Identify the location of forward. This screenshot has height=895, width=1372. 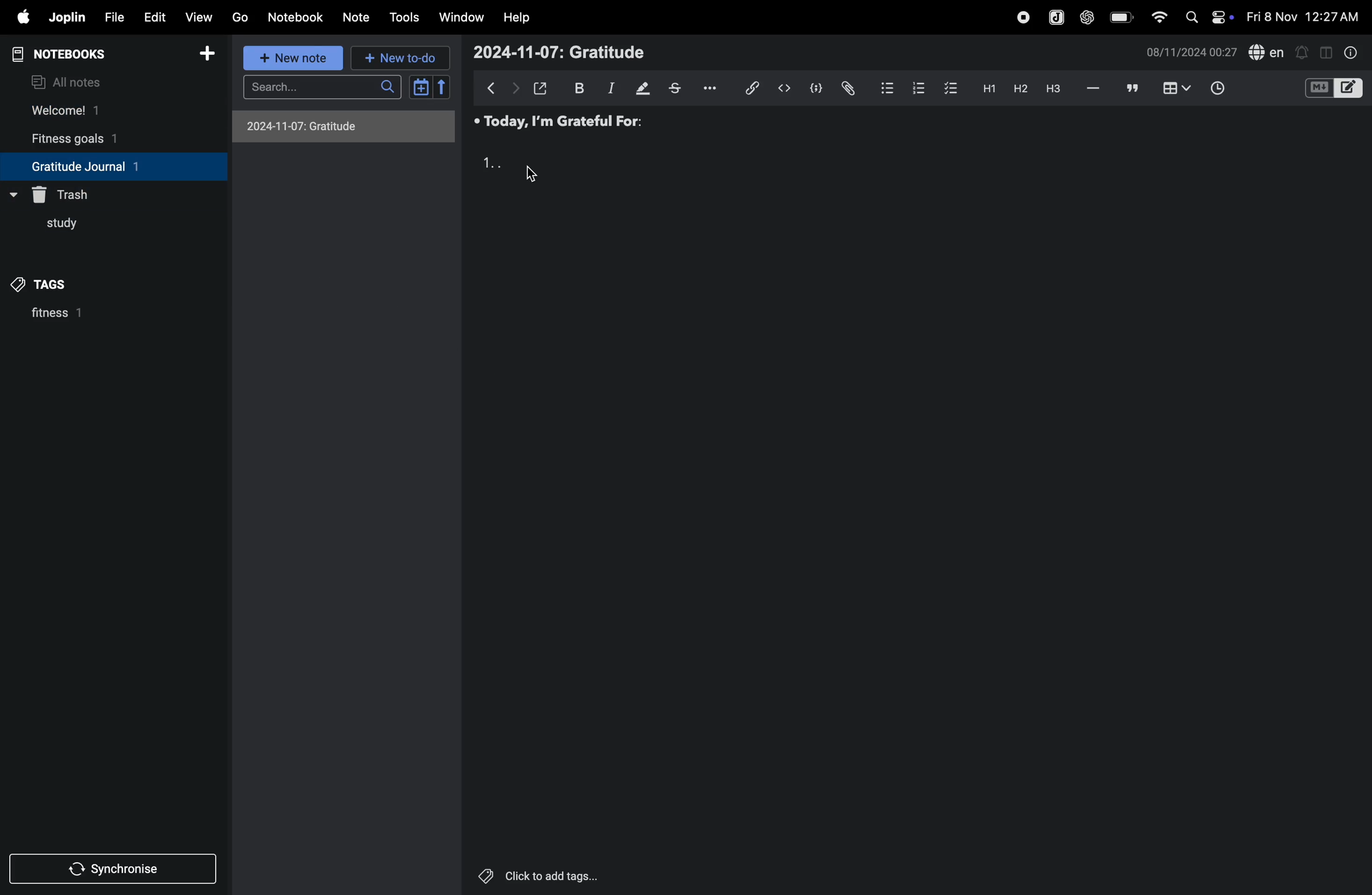
(515, 89).